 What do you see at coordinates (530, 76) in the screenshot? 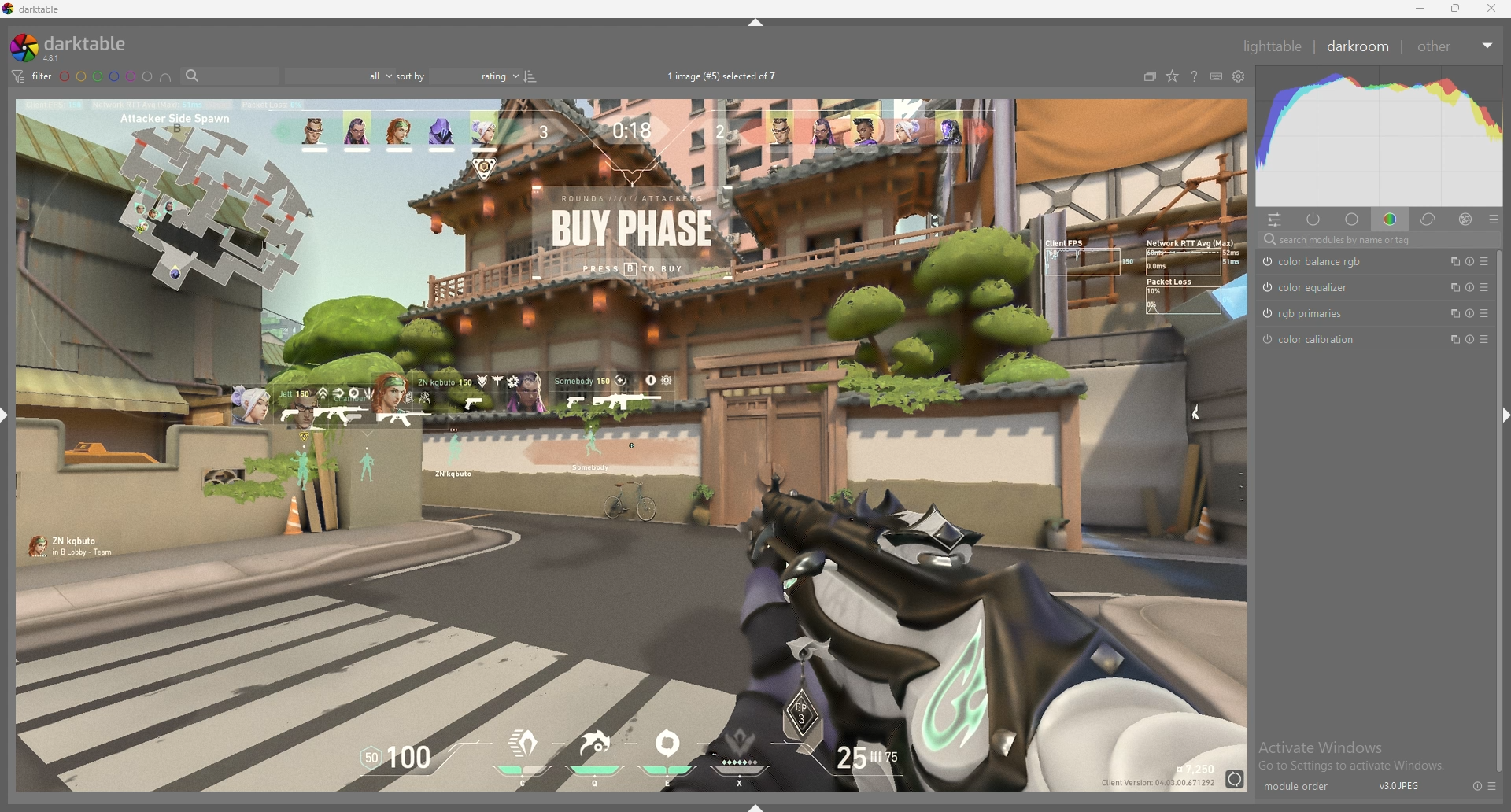
I see `reverse sort` at bounding box center [530, 76].